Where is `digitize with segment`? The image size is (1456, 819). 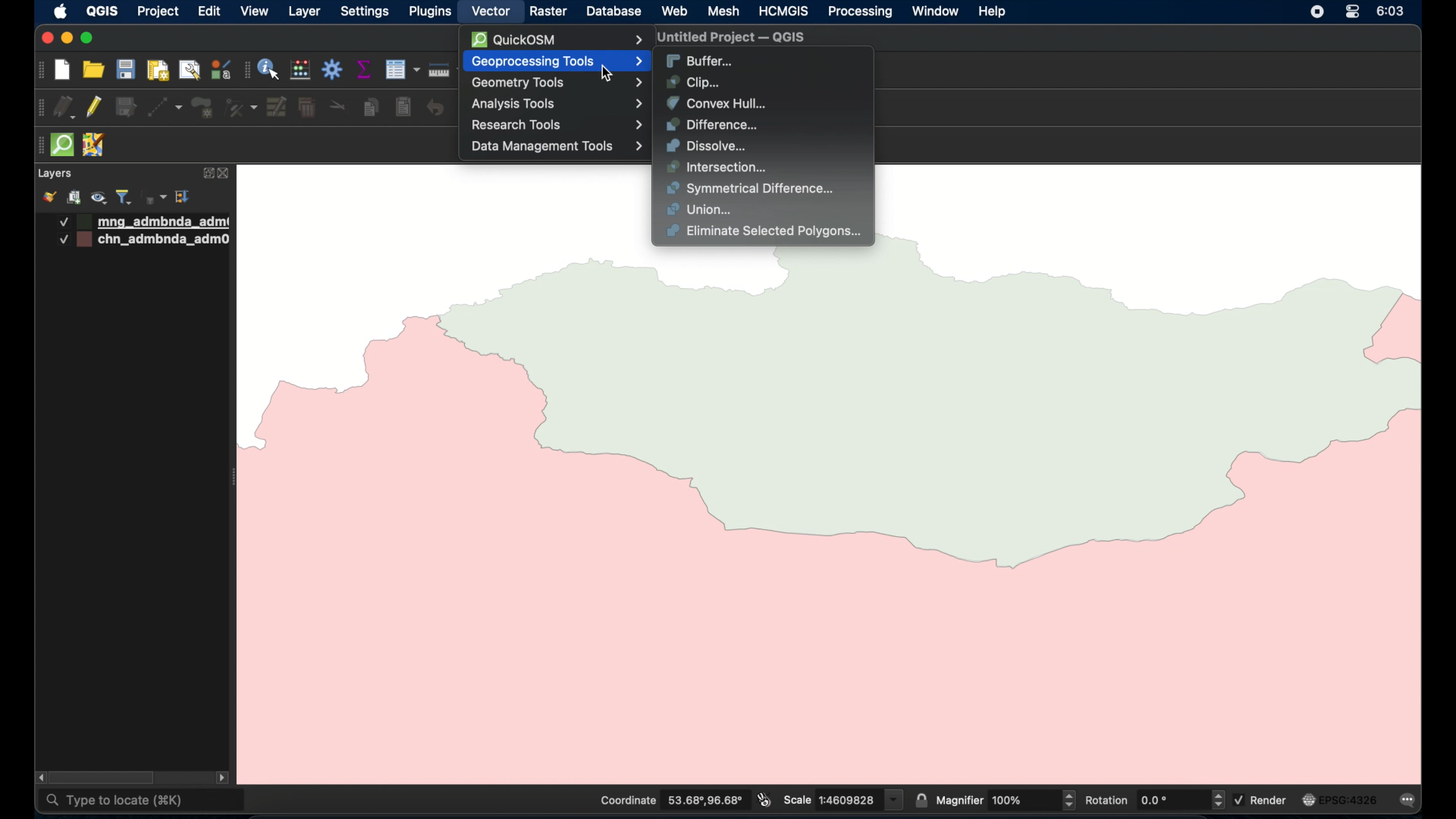
digitize with segment is located at coordinates (165, 108).